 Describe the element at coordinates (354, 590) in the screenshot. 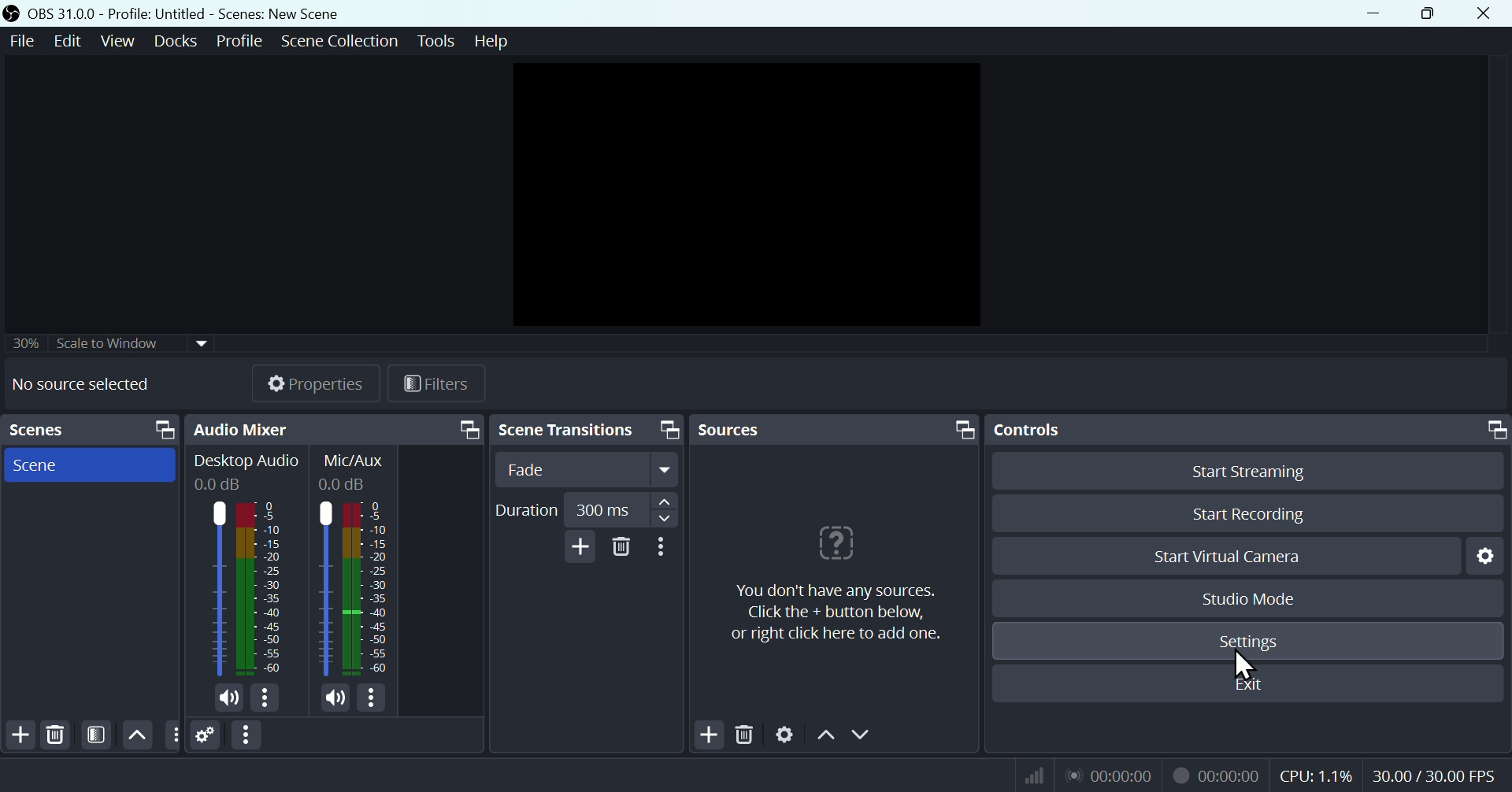

I see `Audio bar` at that location.